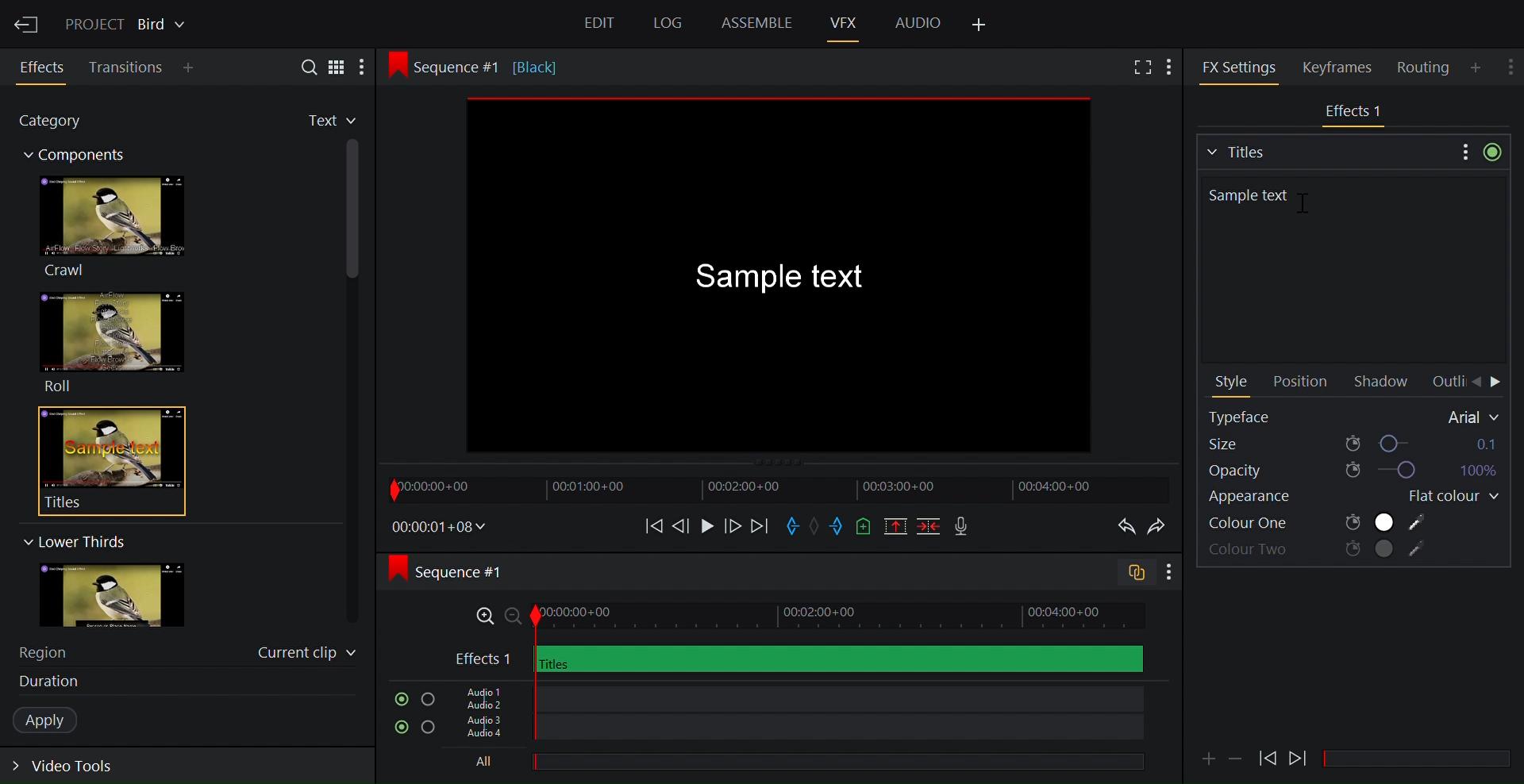 The width and height of the screenshot is (1524, 784). I want to click on Edit, so click(602, 25).